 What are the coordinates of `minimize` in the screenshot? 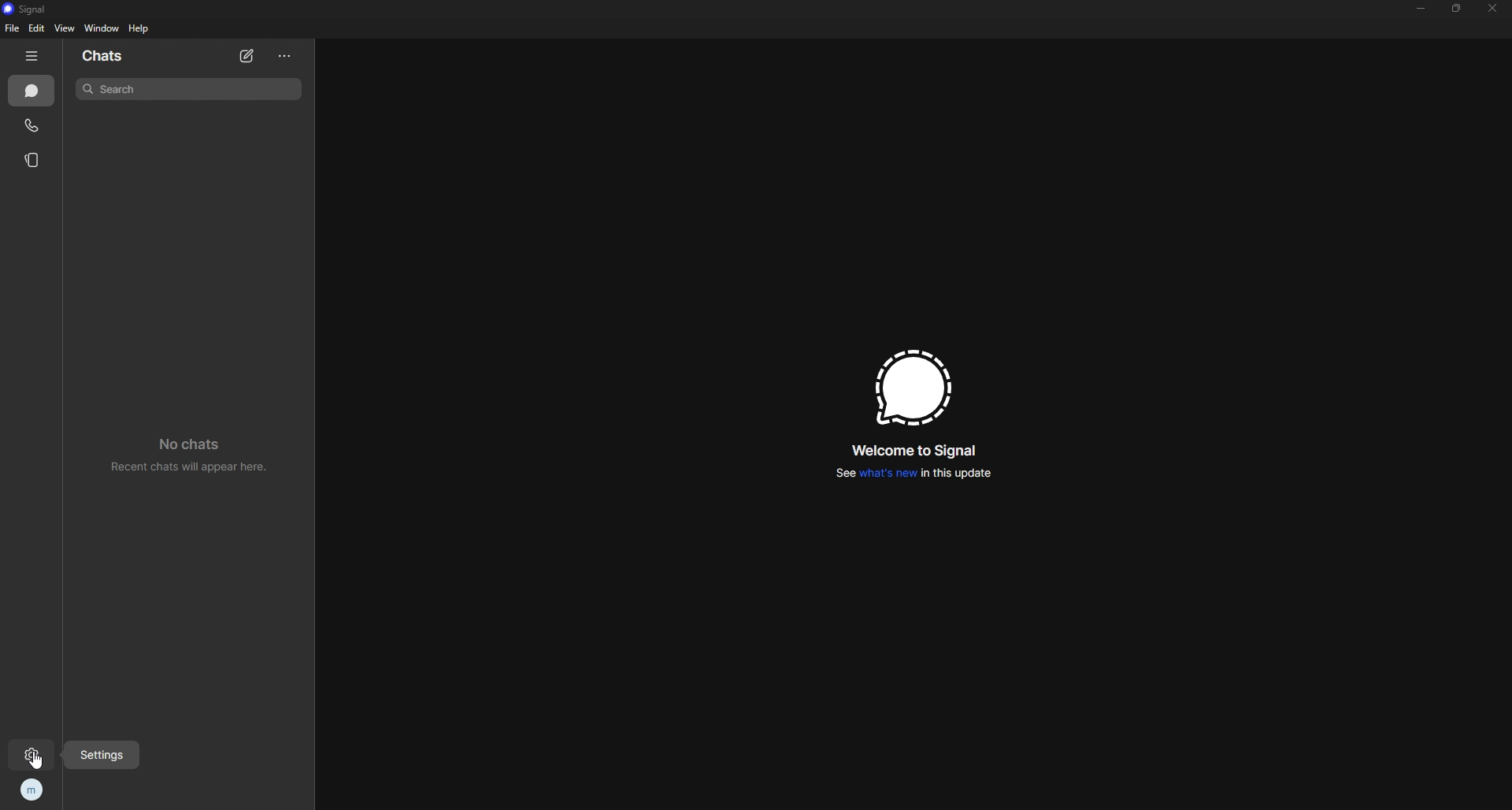 It's located at (1421, 8).